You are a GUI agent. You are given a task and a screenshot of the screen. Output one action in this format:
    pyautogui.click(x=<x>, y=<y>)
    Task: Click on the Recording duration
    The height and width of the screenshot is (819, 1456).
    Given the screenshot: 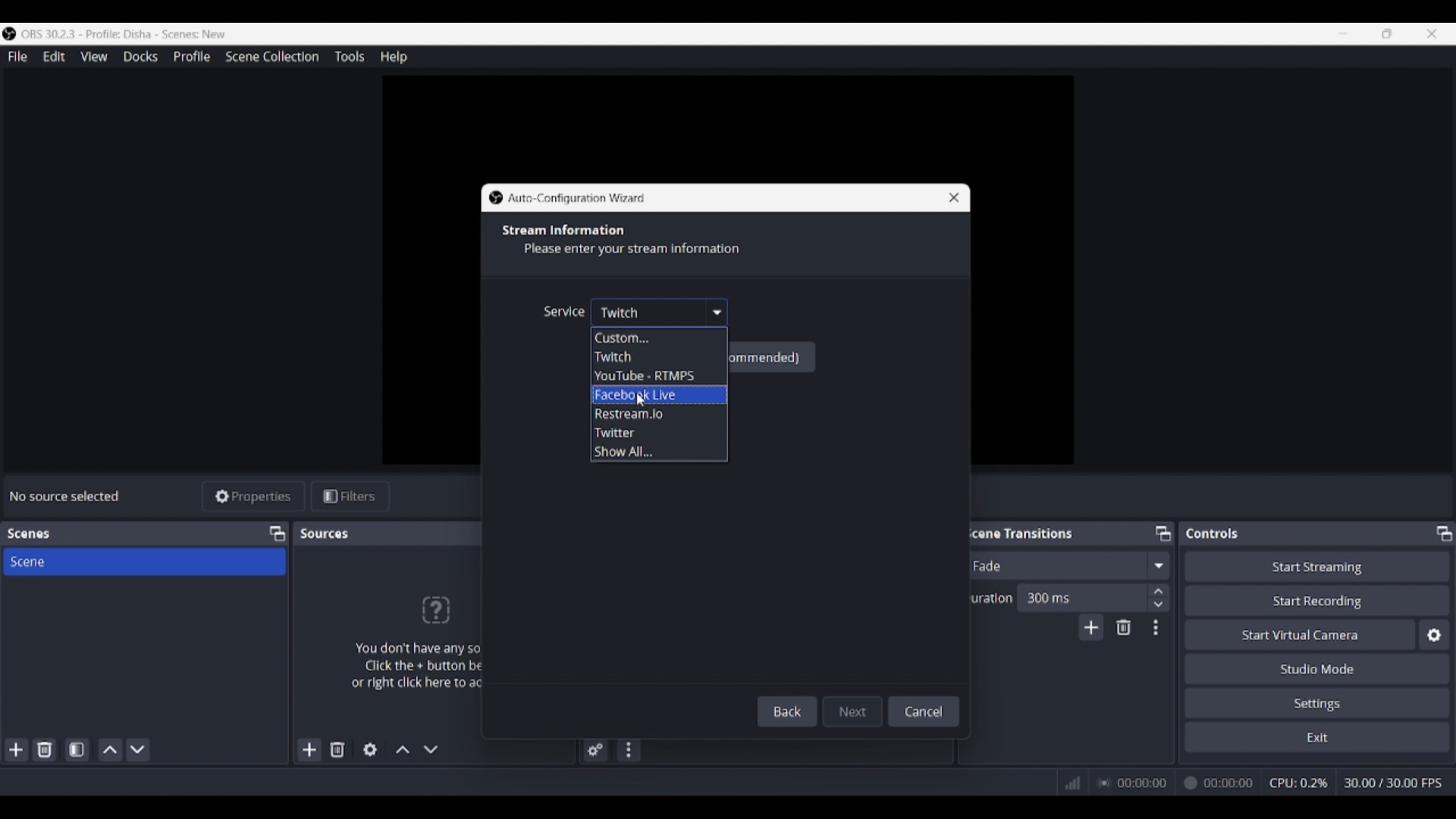 What is the action you would take?
    pyautogui.click(x=1175, y=783)
    